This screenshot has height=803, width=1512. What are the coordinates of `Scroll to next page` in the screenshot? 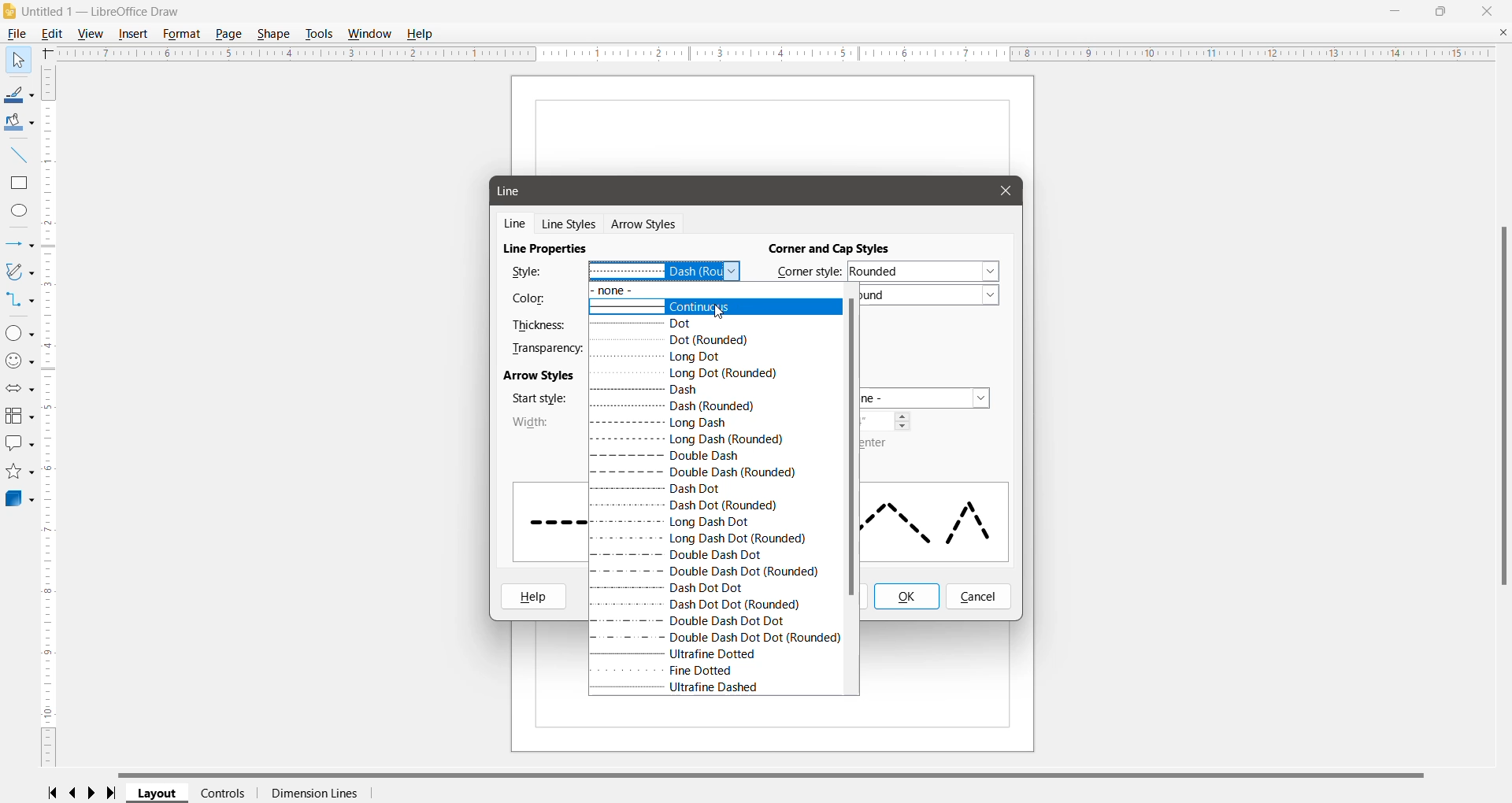 It's located at (93, 794).